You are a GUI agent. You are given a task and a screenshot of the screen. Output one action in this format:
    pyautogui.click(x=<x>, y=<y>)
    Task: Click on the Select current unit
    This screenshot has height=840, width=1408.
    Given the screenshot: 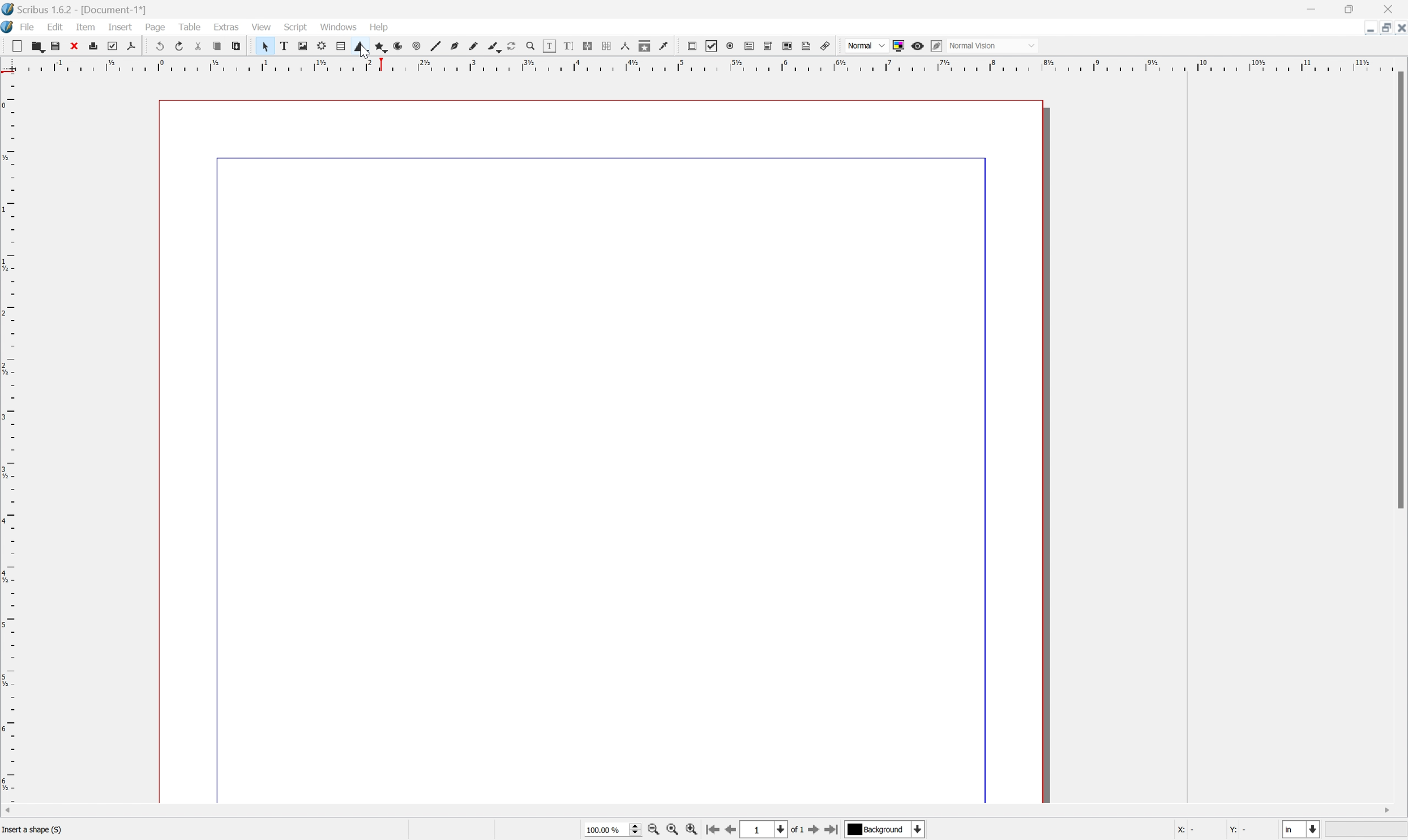 What is the action you would take?
    pyautogui.click(x=1303, y=829)
    